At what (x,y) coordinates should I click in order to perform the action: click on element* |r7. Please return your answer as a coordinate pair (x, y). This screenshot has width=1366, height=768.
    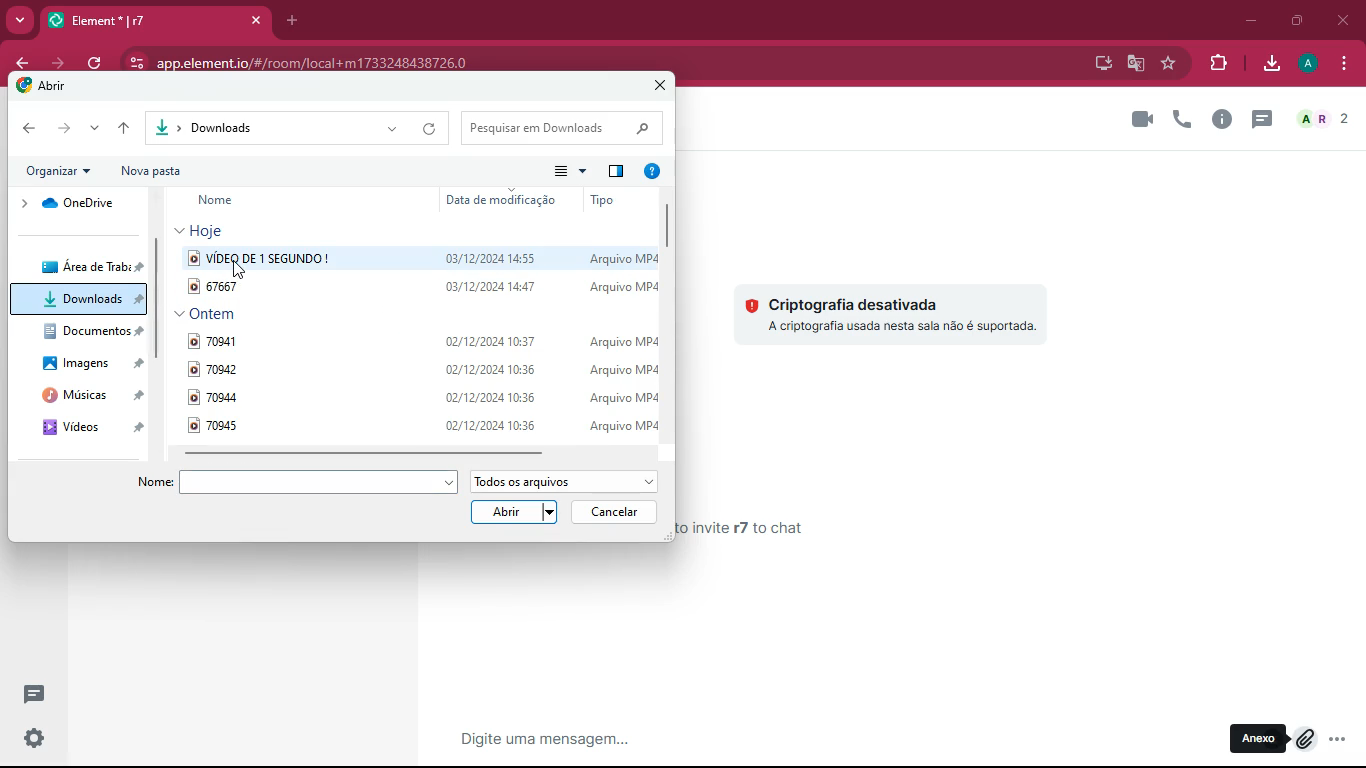
    Looking at the image, I should click on (154, 18).